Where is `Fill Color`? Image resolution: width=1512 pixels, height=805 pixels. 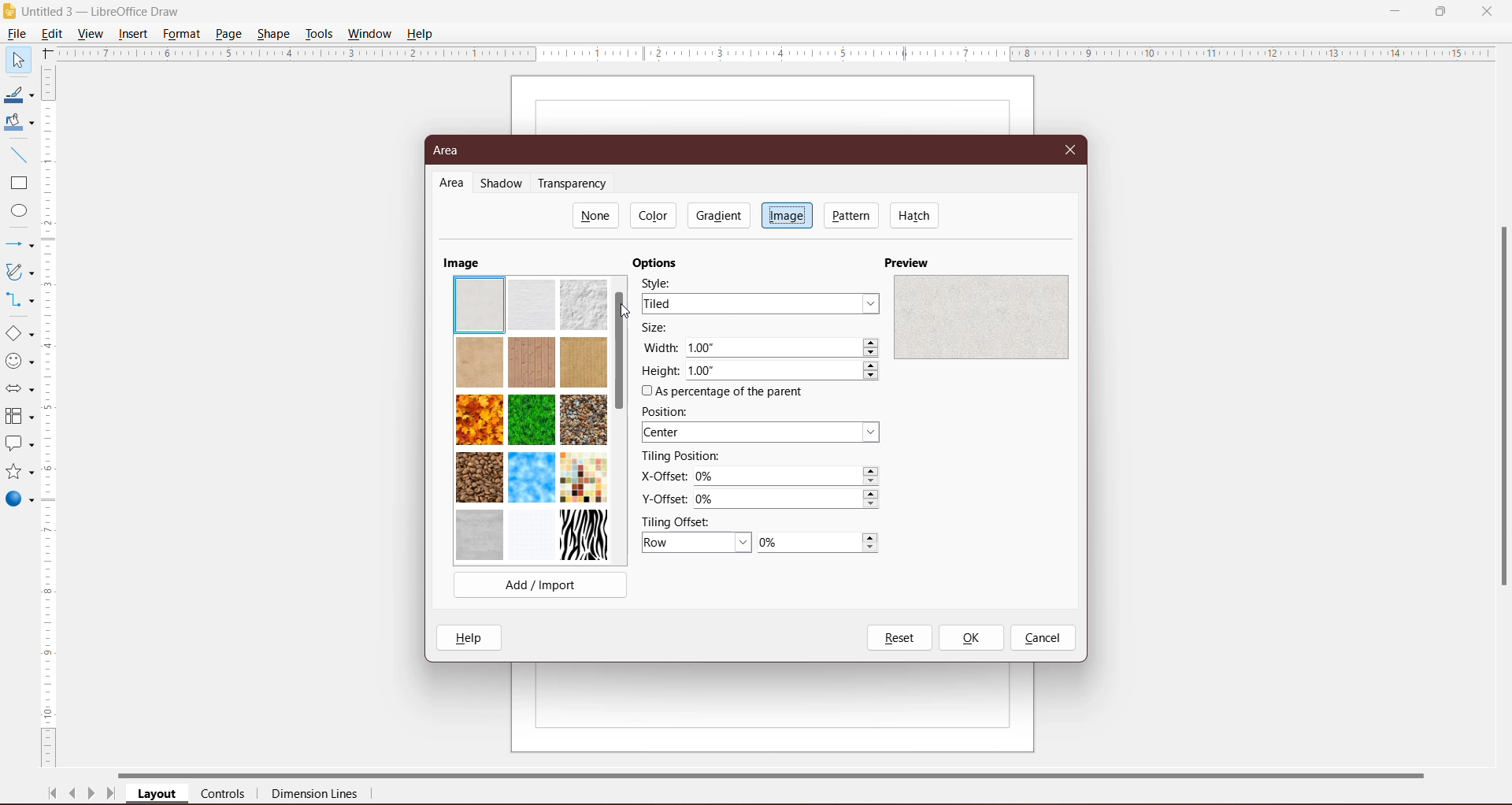
Fill Color is located at coordinates (16, 123).